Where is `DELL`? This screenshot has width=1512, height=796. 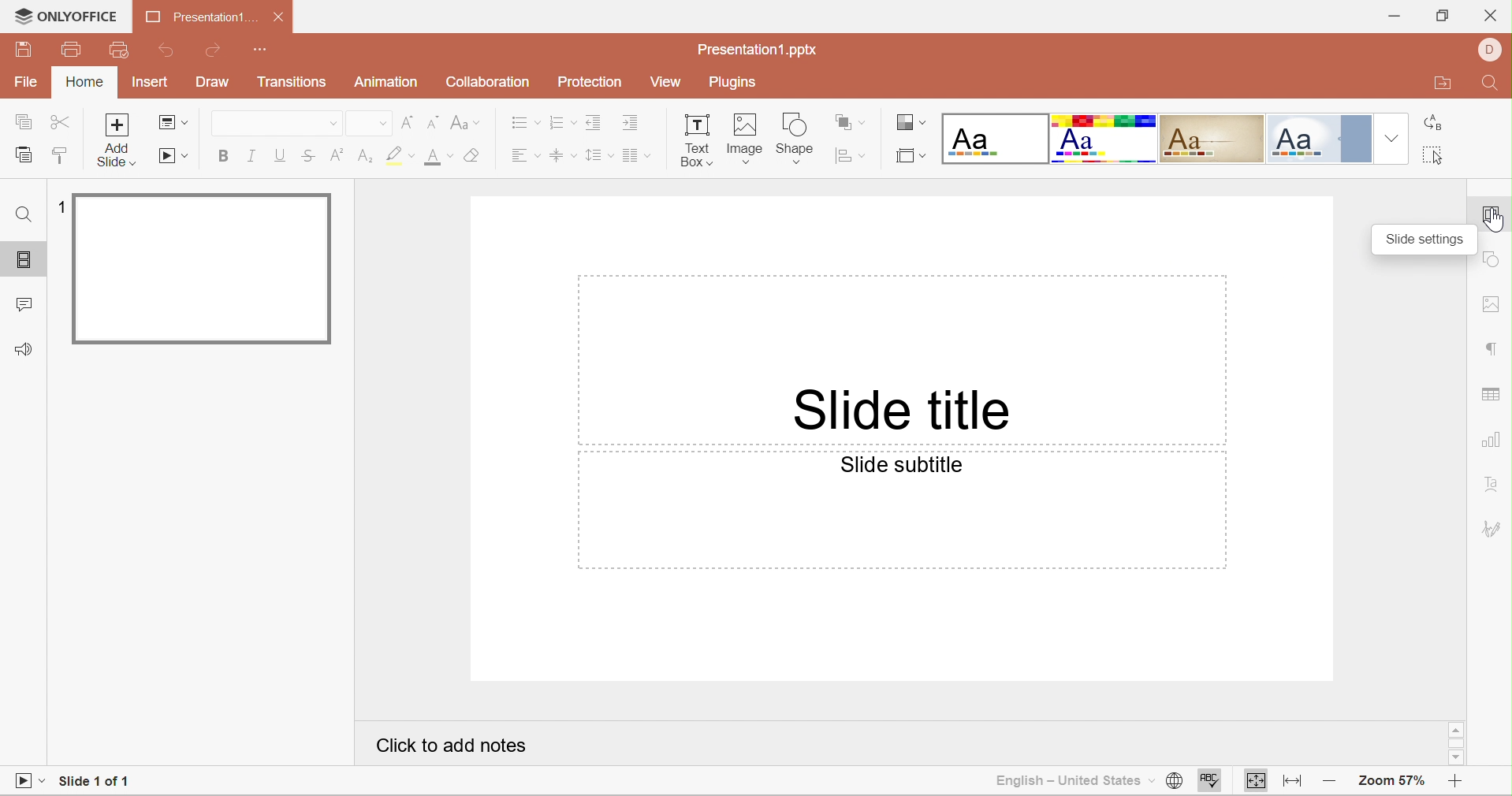
DELL is located at coordinates (1493, 48).